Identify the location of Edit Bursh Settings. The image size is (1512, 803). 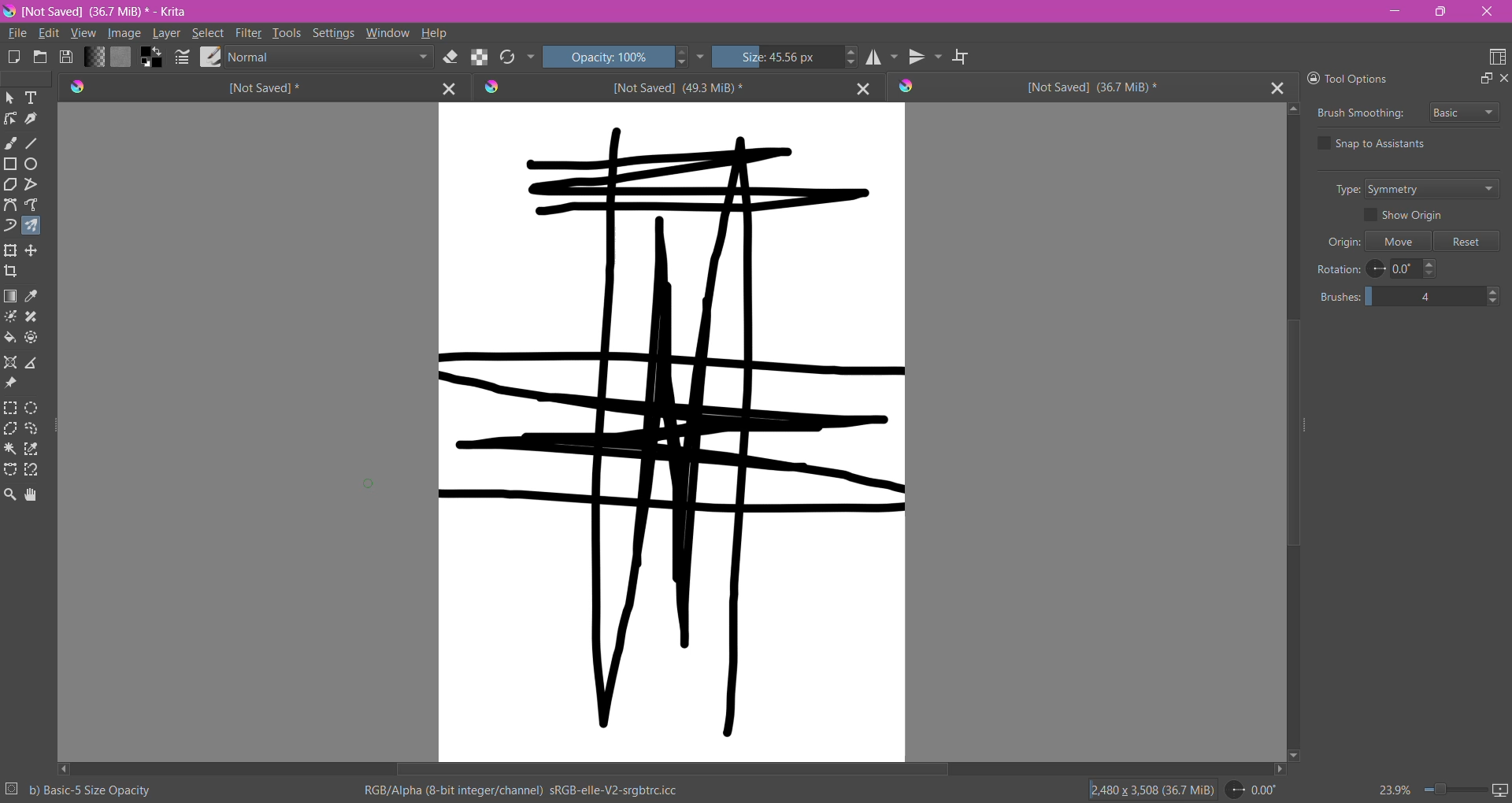
(182, 58).